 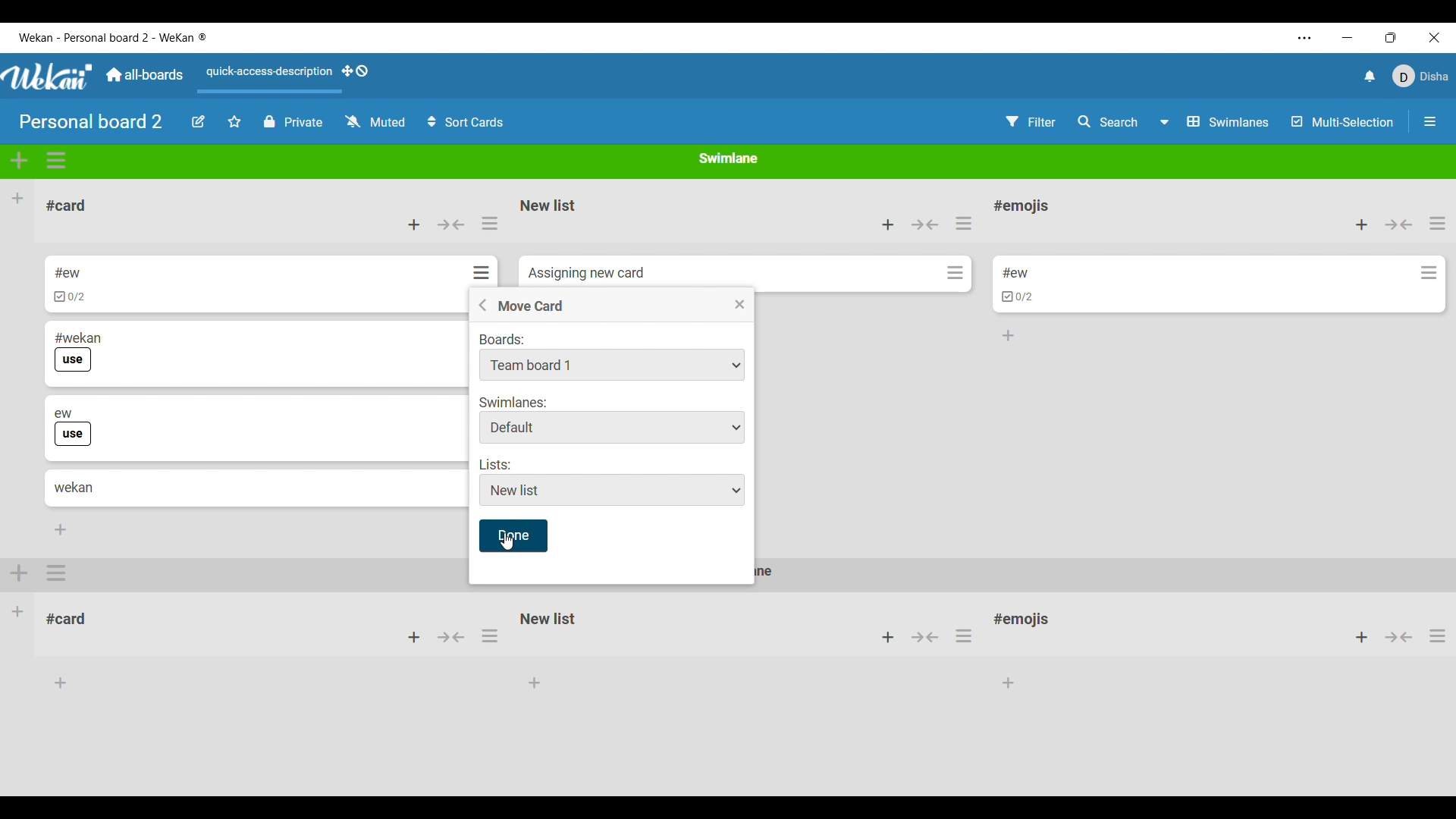 I want to click on Swimlane actions, so click(x=57, y=161).